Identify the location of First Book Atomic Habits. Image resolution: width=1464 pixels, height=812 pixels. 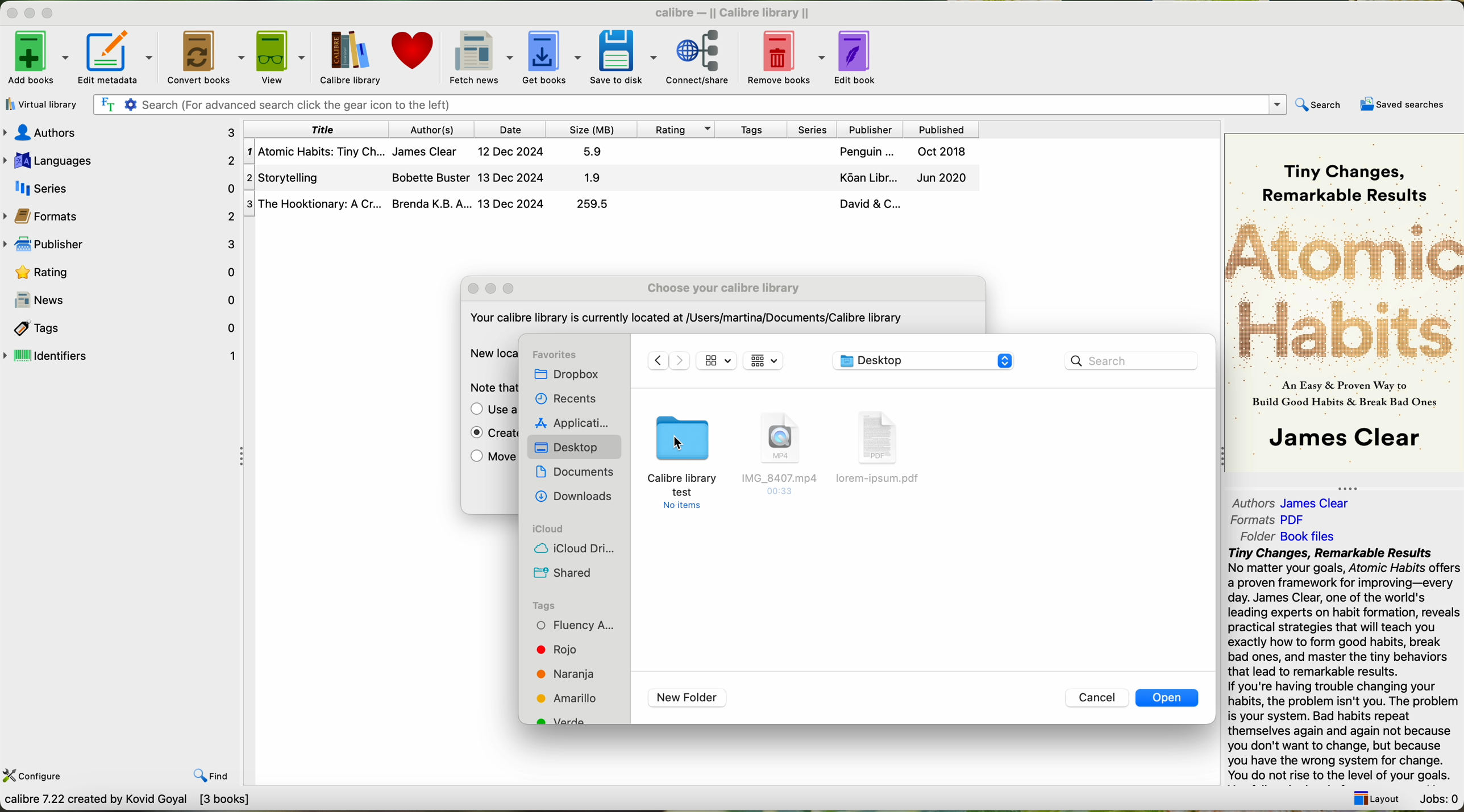
(615, 153).